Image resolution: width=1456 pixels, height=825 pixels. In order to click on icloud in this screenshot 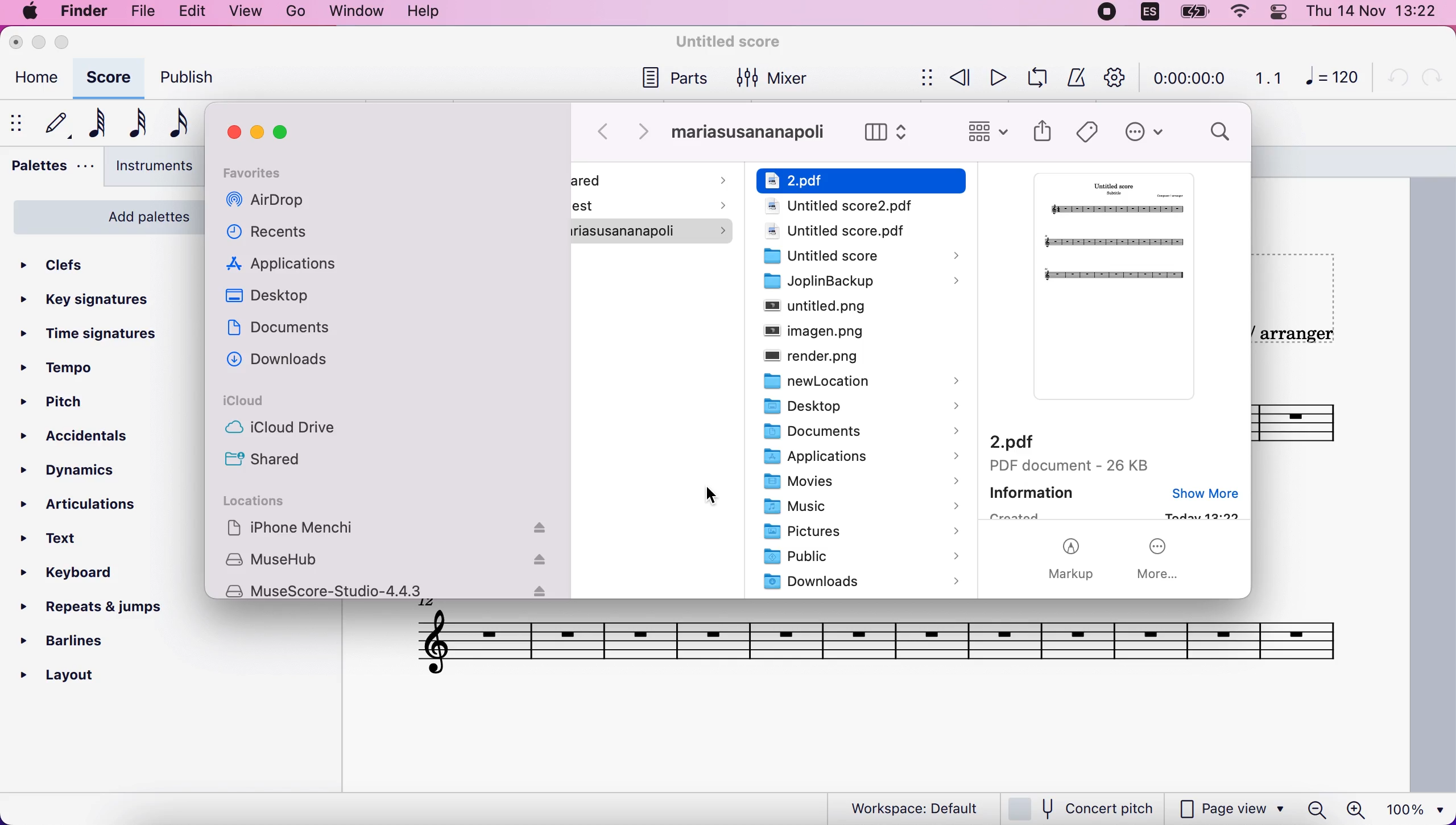, I will do `click(259, 403)`.